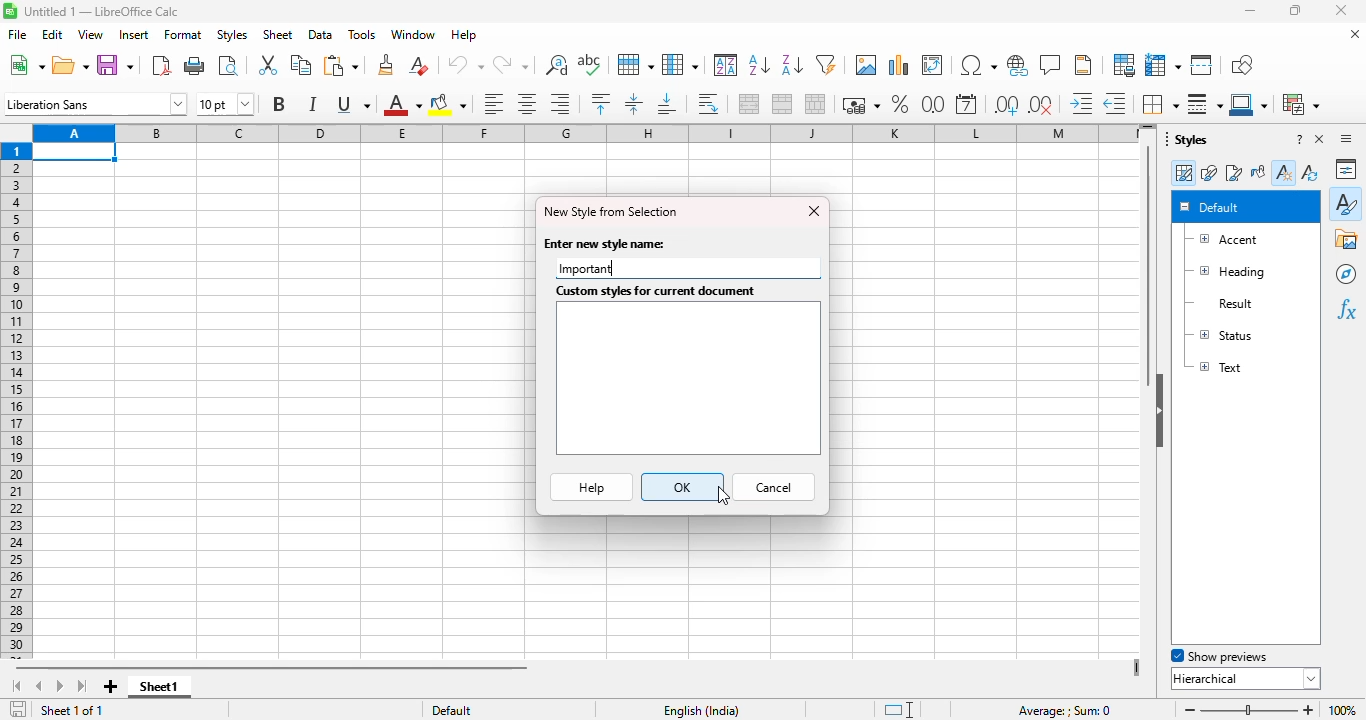 This screenshot has height=720, width=1366. I want to click on delete decimal, so click(1042, 105).